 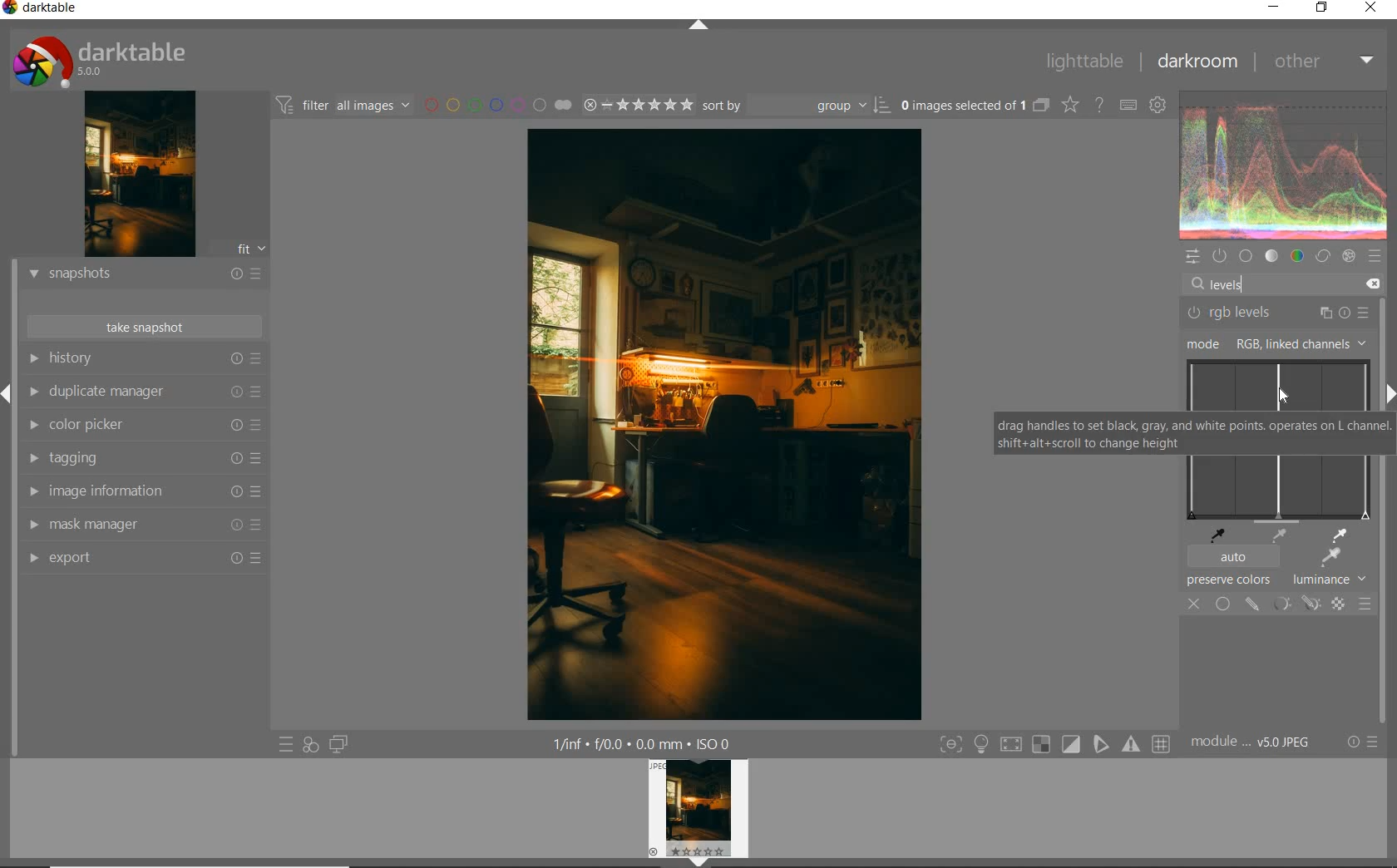 What do you see at coordinates (1277, 313) in the screenshot?
I see `rgb levels` at bounding box center [1277, 313].